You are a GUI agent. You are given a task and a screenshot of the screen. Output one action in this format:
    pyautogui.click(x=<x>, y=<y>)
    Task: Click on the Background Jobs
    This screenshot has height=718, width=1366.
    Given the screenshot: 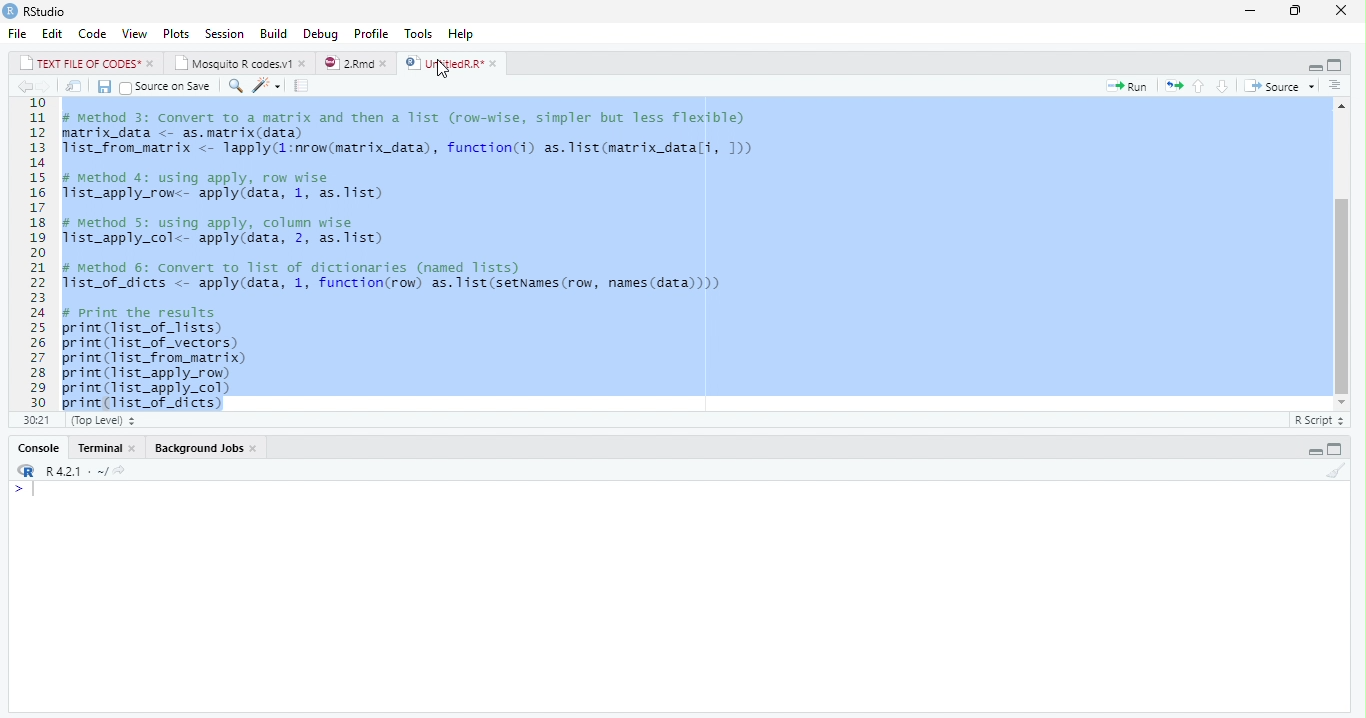 What is the action you would take?
    pyautogui.click(x=206, y=448)
    